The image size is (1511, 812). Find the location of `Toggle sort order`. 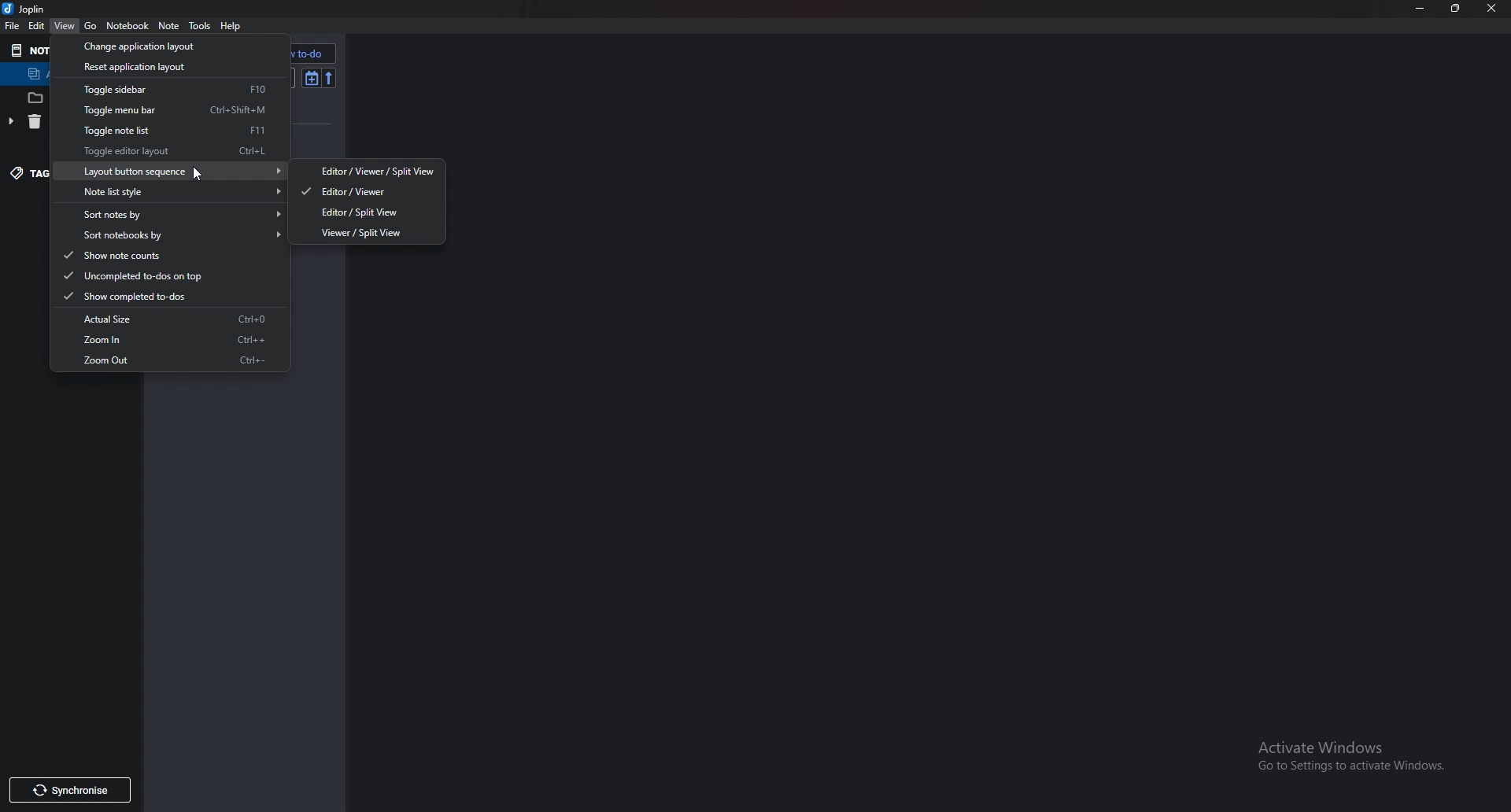

Toggle sort order is located at coordinates (310, 77).